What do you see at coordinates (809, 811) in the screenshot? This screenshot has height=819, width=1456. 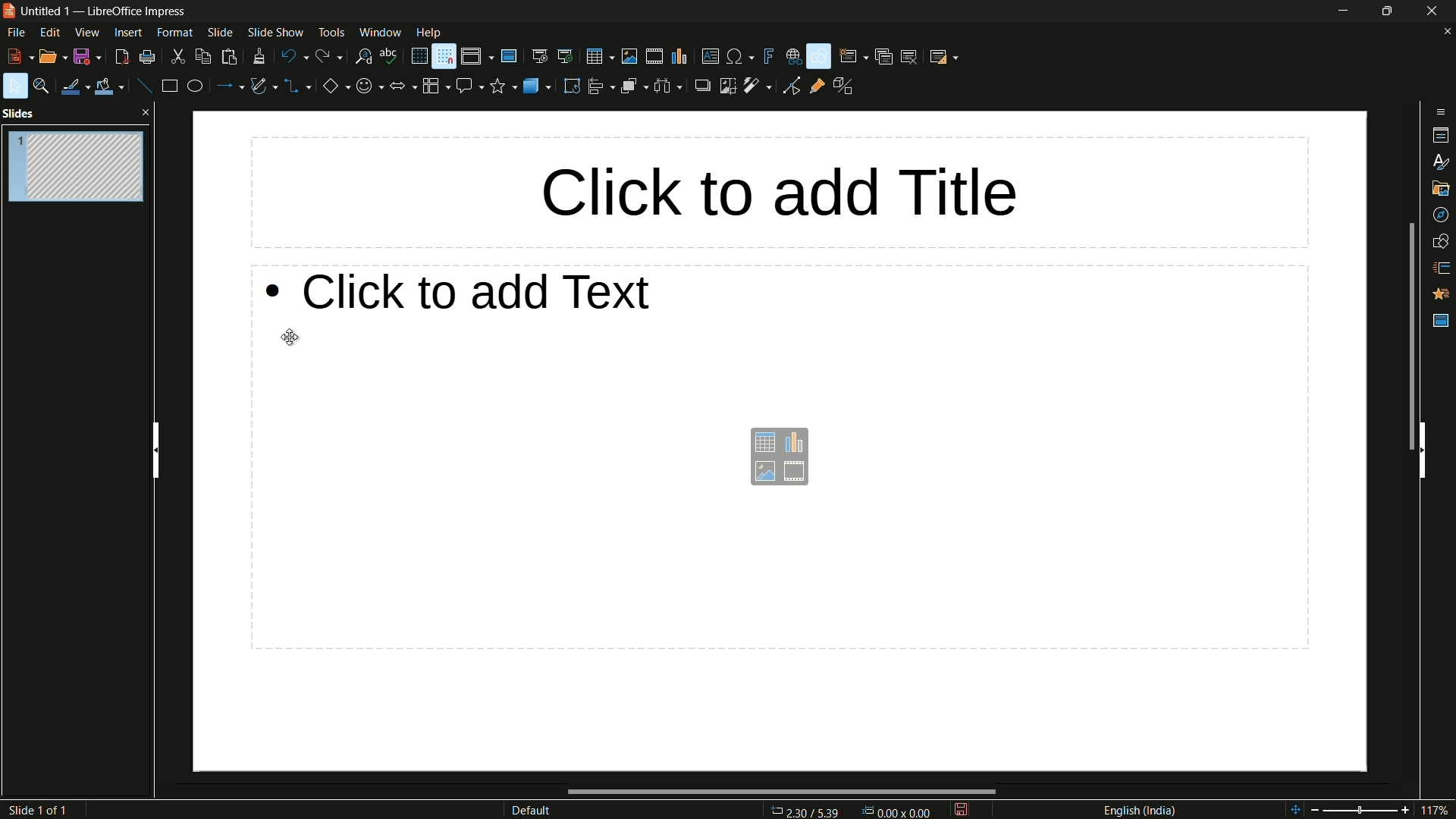 I see `cursor position` at bounding box center [809, 811].